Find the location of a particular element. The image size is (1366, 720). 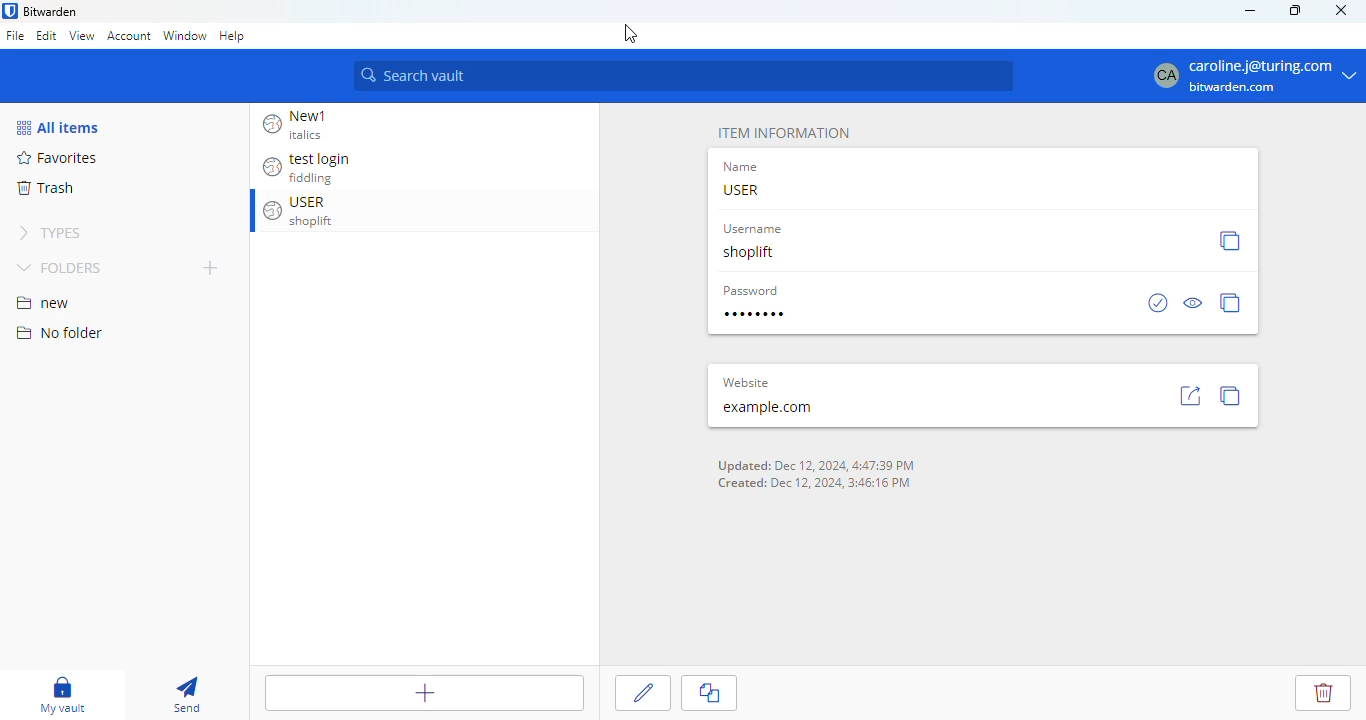

close is located at coordinates (1342, 11).